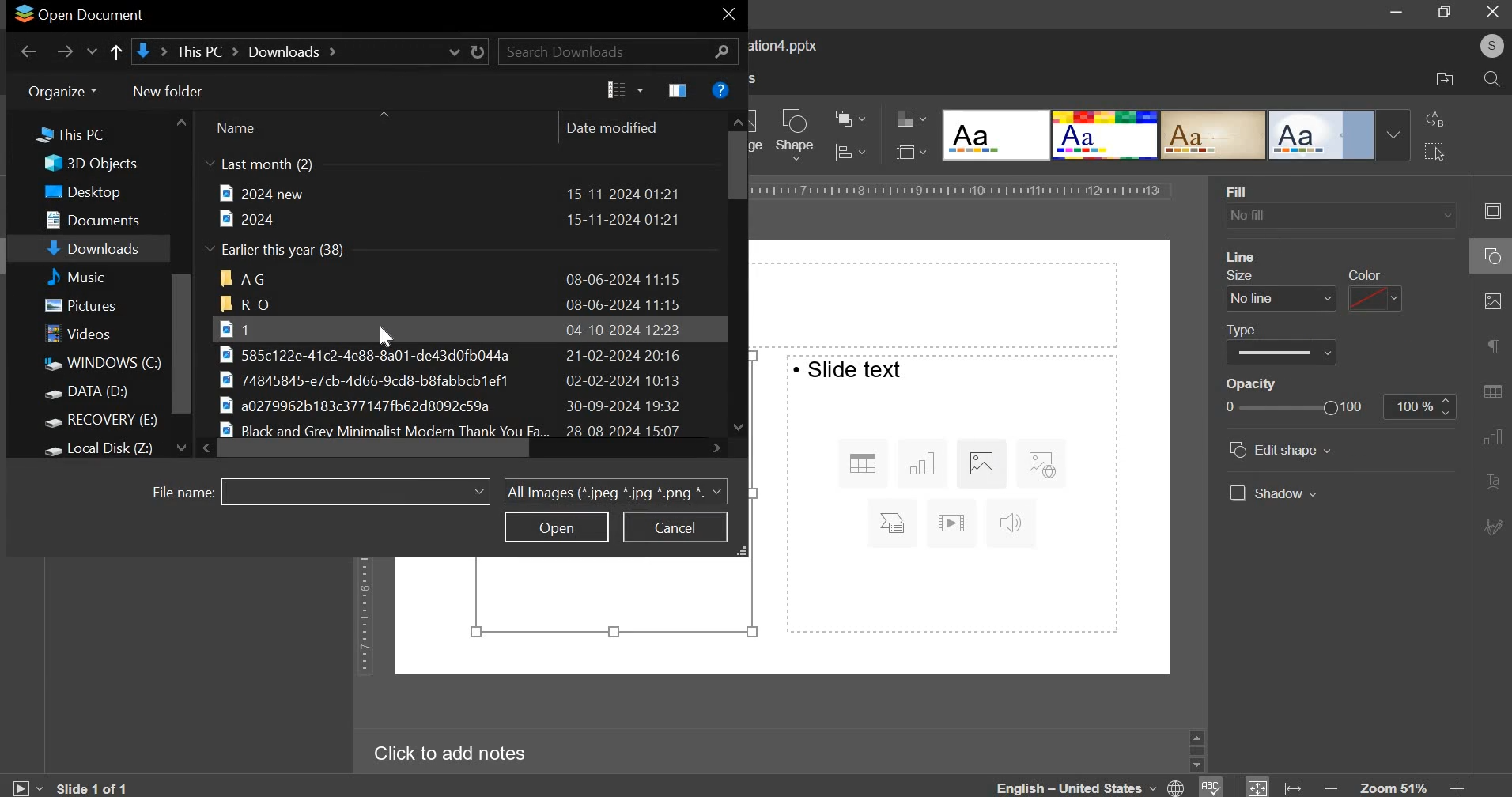 The height and width of the screenshot is (797, 1512). What do you see at coordinates (463, 448) in the screenshot?
I see `horizontal slider` at bounding box center [463, 448].